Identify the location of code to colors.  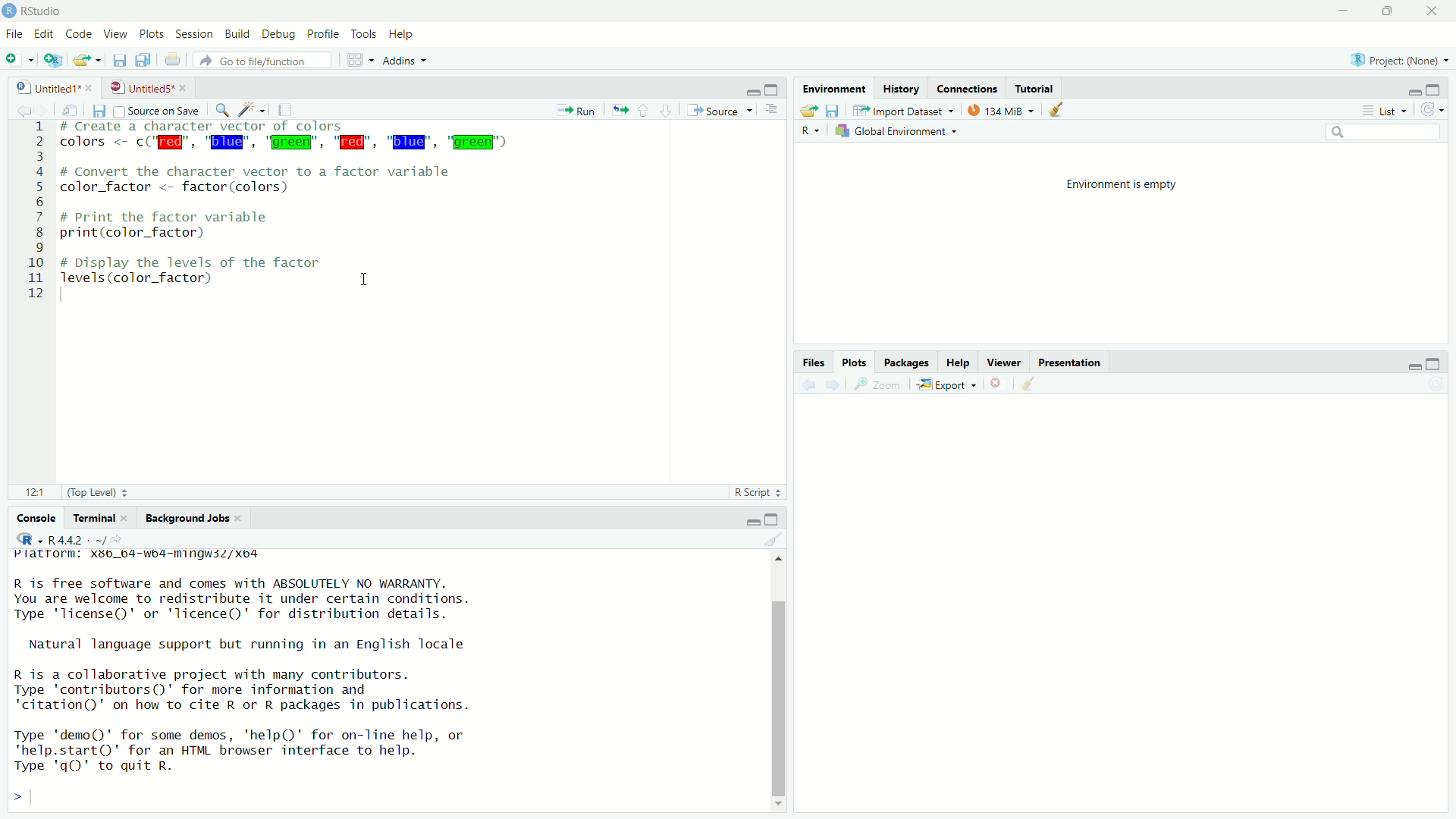
(291, 143).